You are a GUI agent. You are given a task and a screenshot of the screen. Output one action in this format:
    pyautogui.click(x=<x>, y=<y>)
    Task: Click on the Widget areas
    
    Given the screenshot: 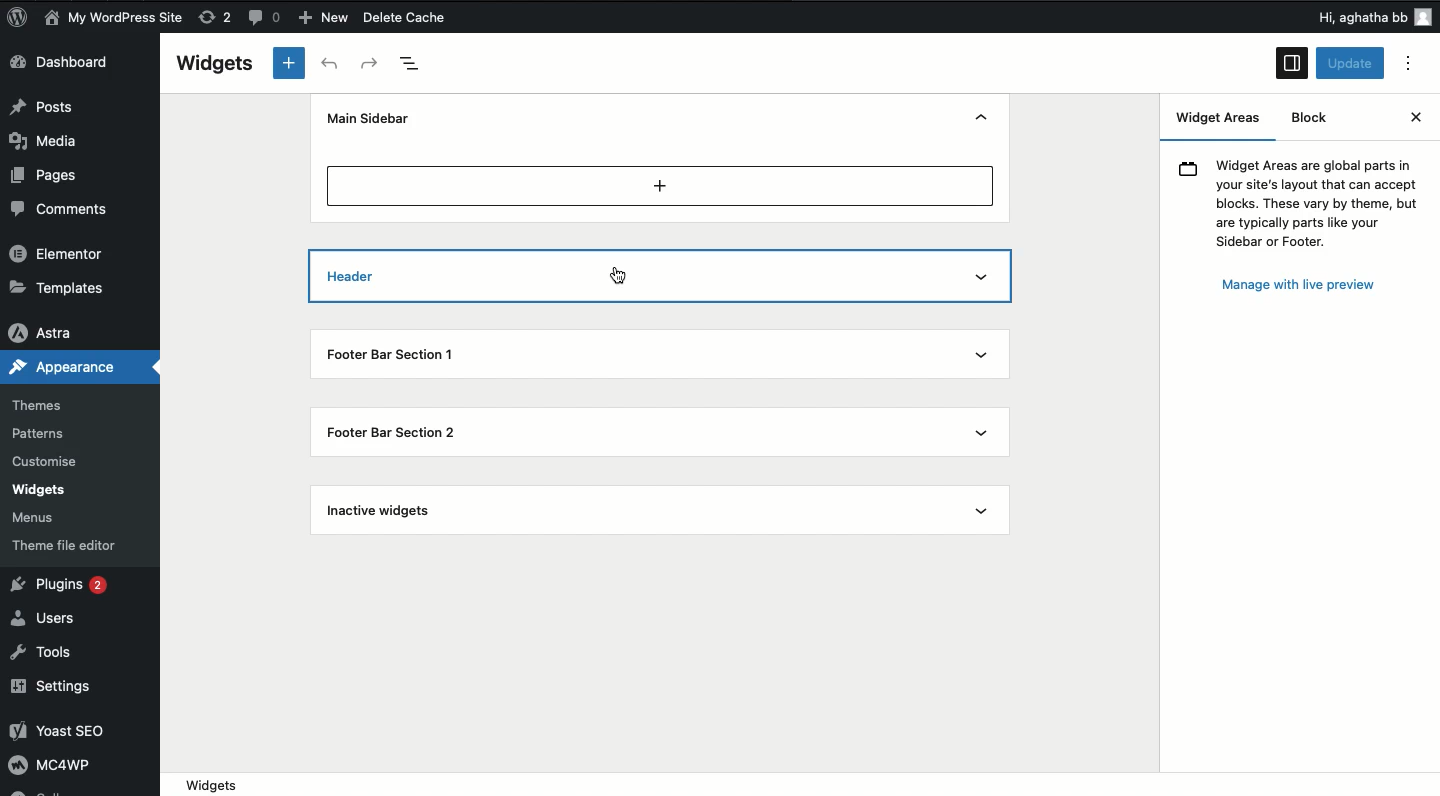 What is the action you would take?
    pyautogui.click(x=1219, y=126)
    